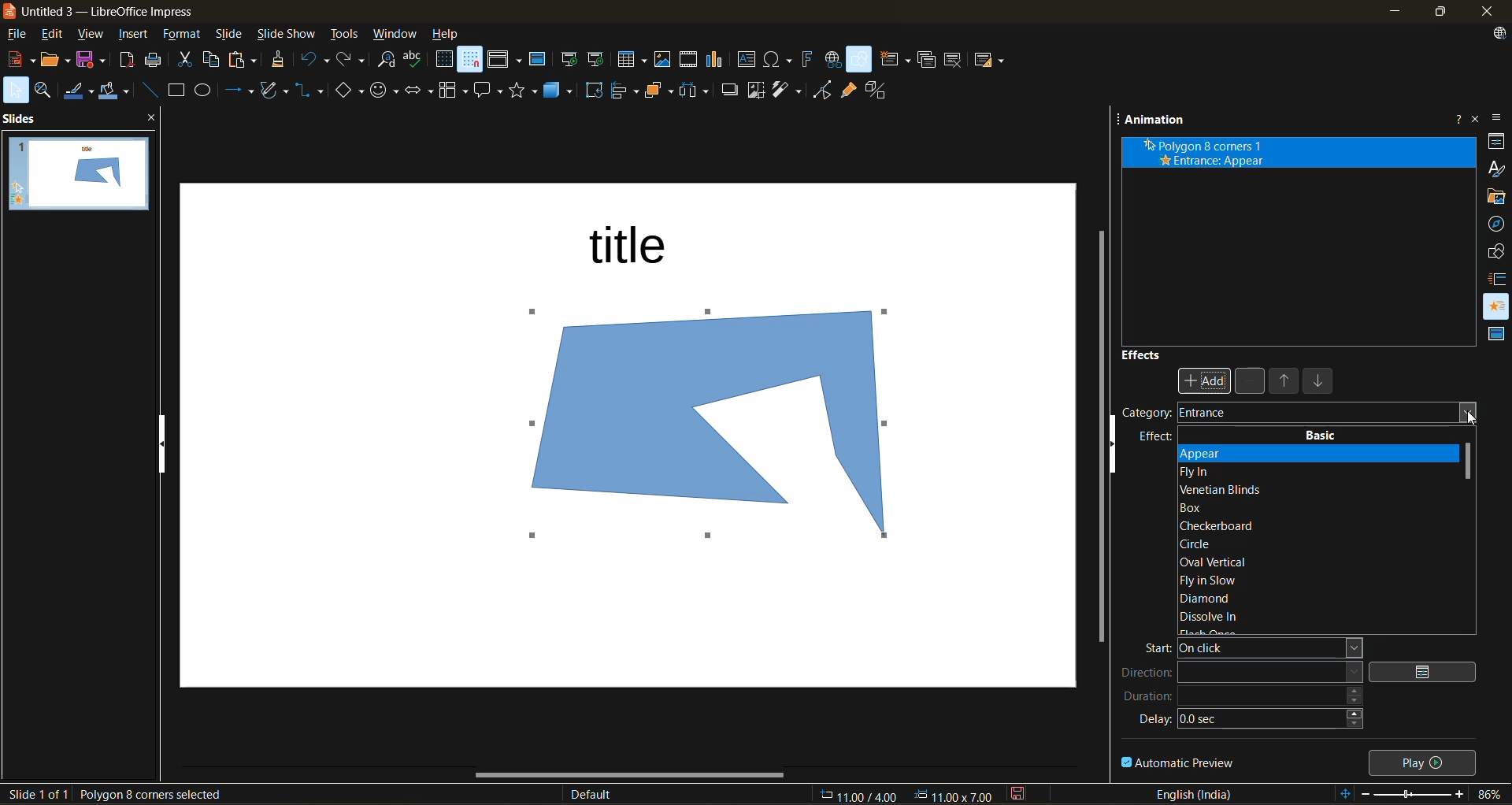 The image size is (1512, 805). I want to click on undo, so click(314, 60).